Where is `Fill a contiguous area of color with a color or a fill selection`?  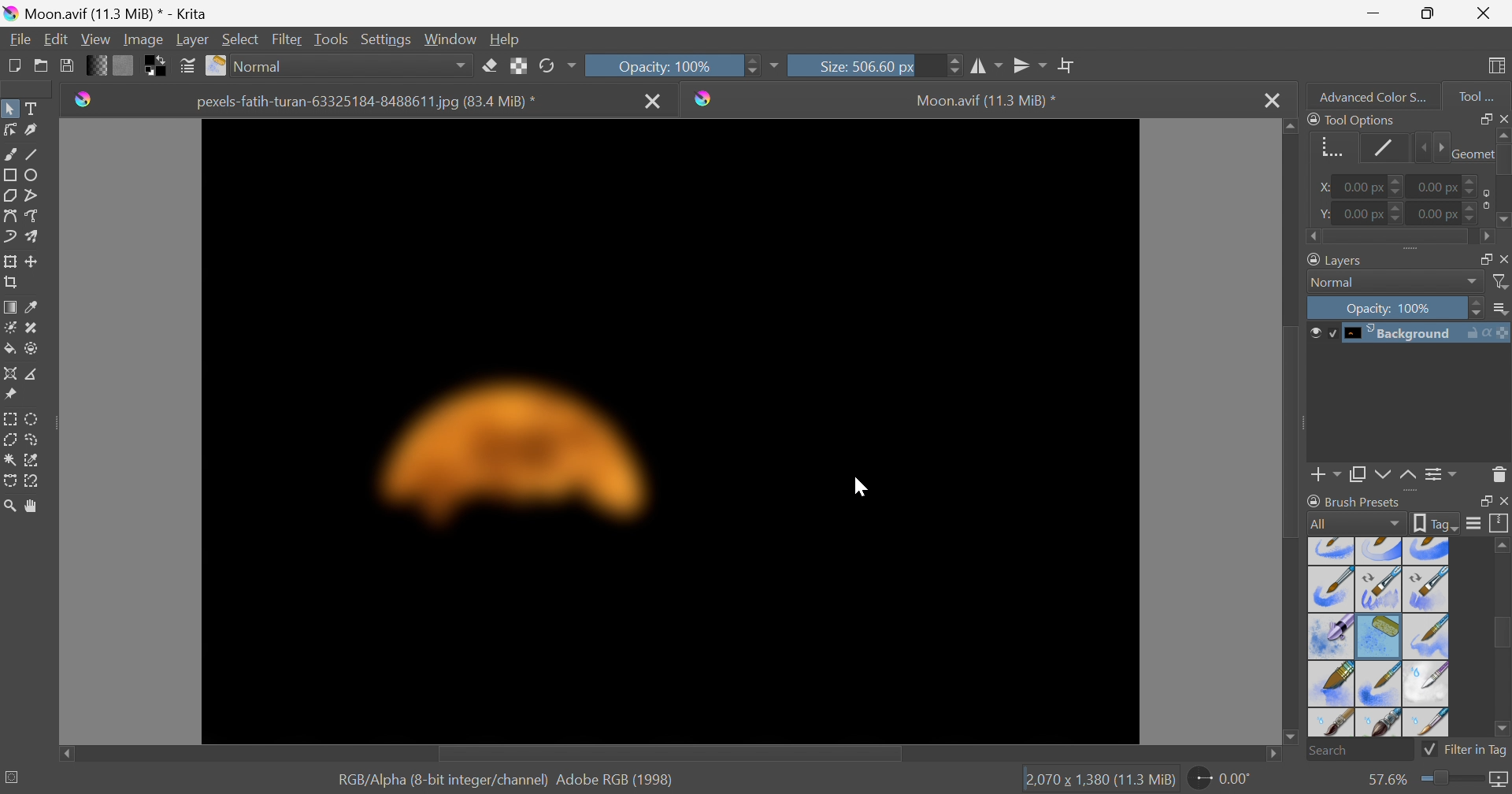
Fill a contiguous area of color with a color or a fill selection is located at coordinates (10, 348).